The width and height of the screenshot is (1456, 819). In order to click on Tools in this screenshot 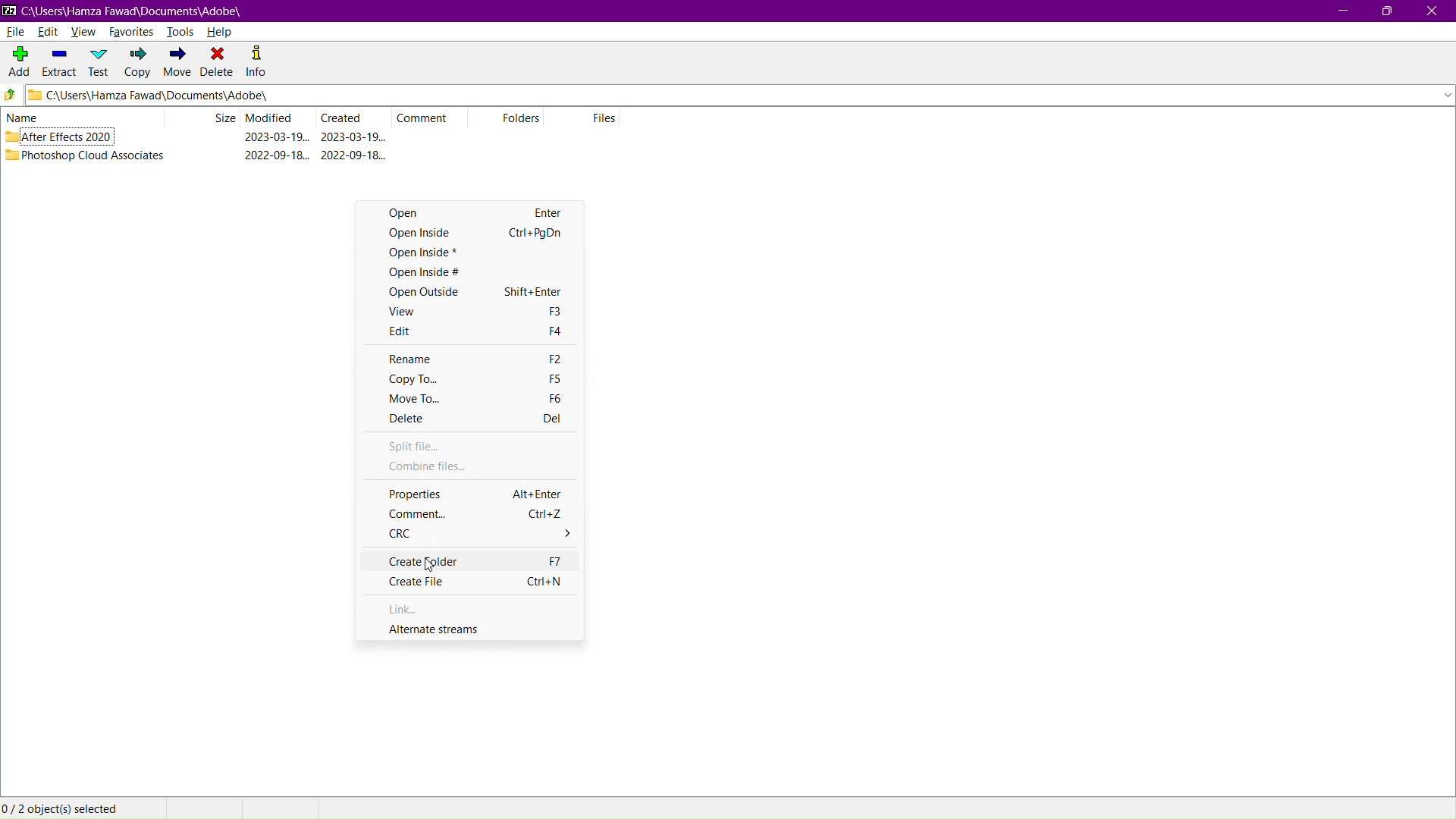, I will do `click(183, 33)`.